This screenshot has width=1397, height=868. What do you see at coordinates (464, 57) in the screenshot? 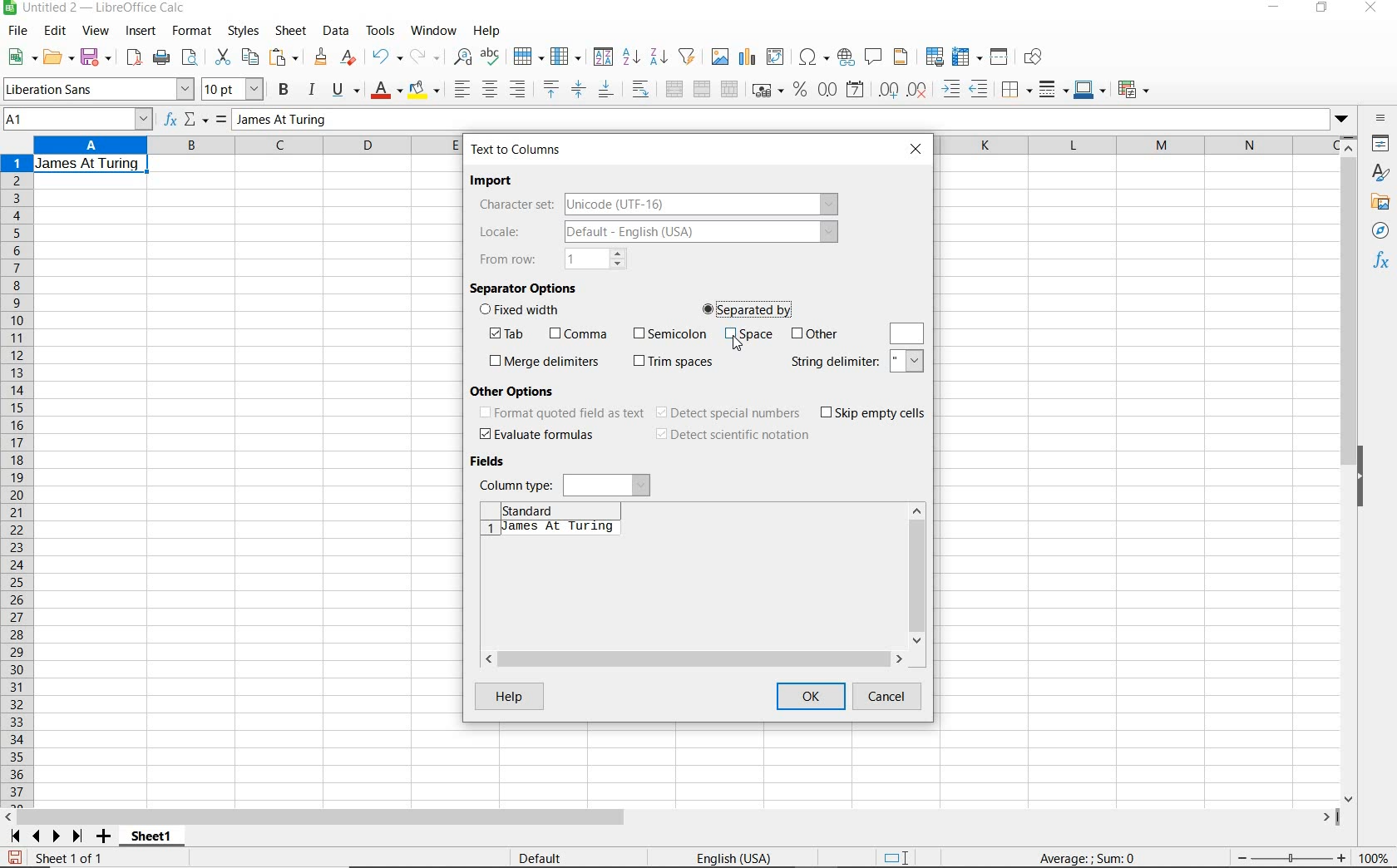
I see `find and replace` at bounding box center [464, 57].